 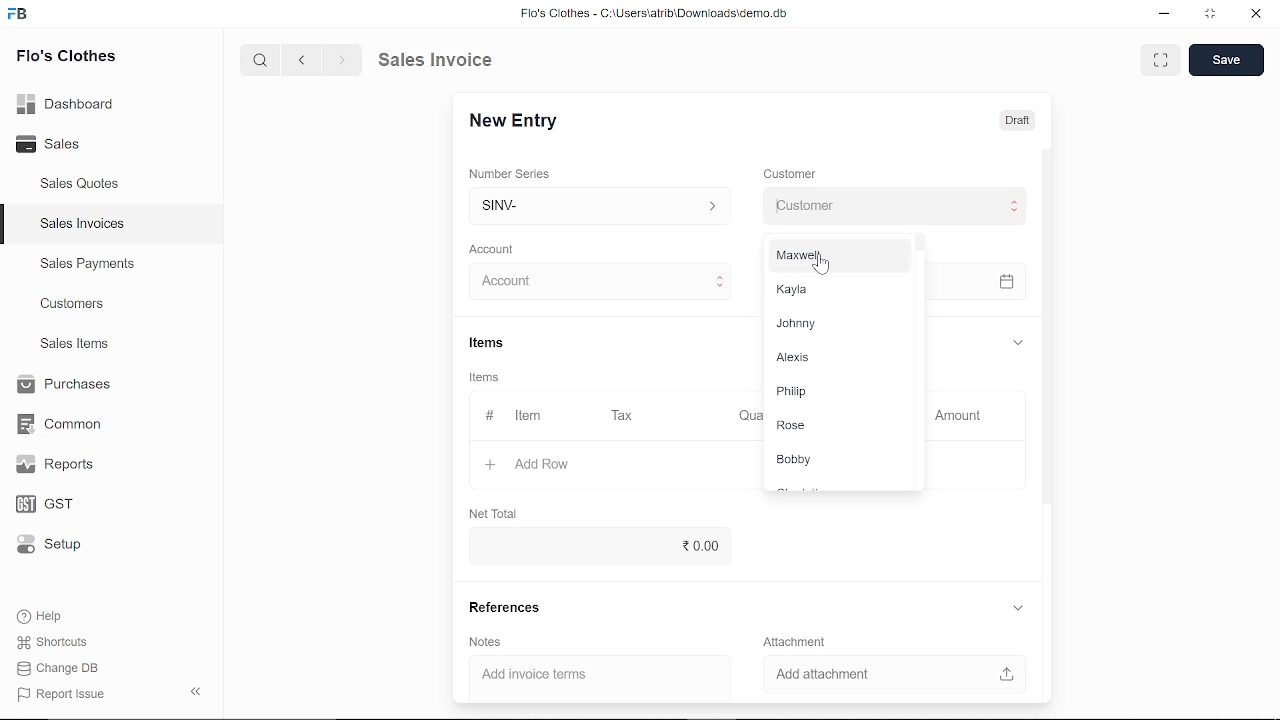 I want to click on save, so click(x=1227, y=60).